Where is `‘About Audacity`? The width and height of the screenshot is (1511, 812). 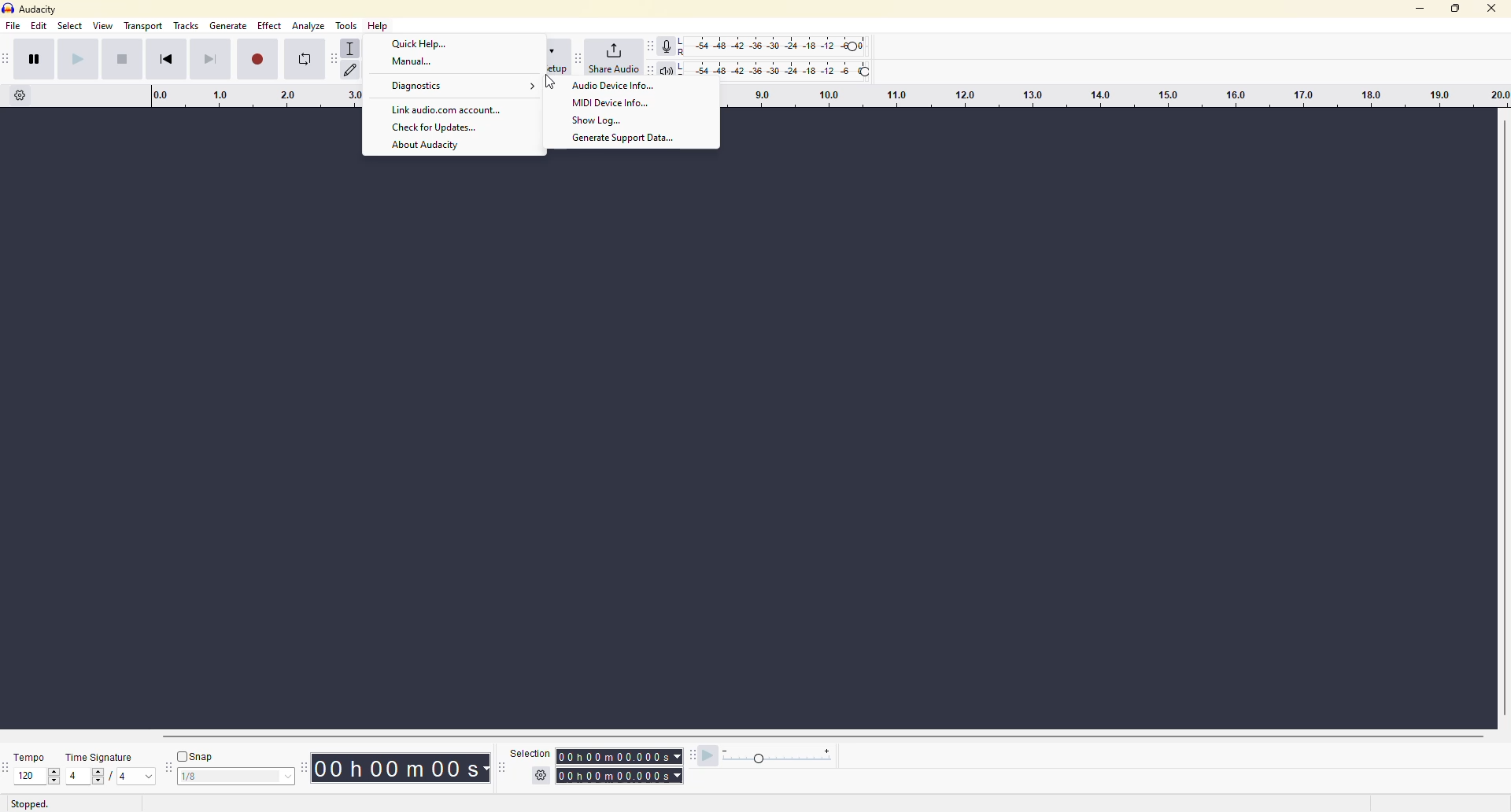 ‘About Audacity is located at coordinates (427, 146).